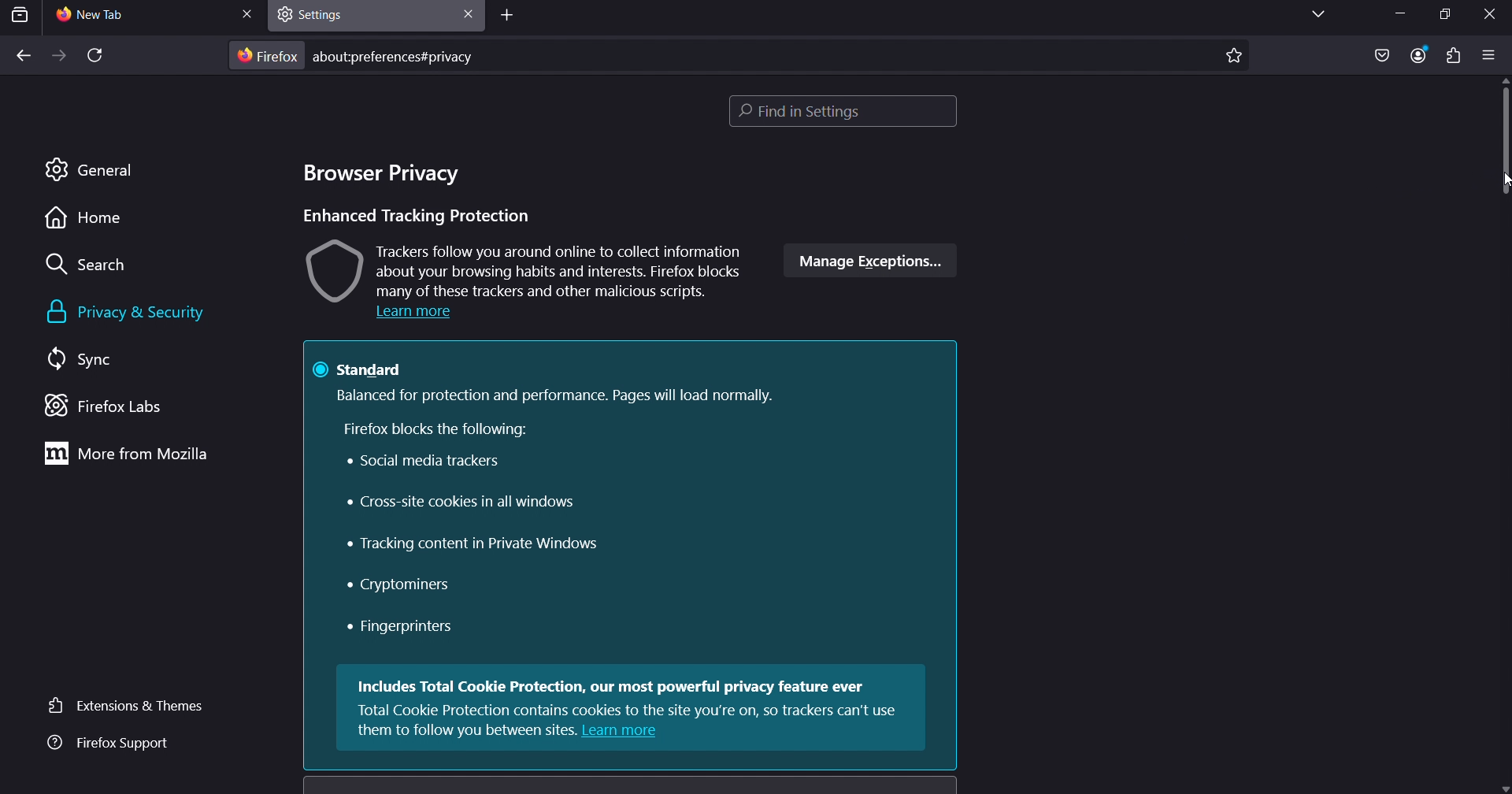 The width and height of the screenshot is (1512, 794). Describe the element at coordinates (1418, 54) in the screenshot. I see `account` at that location.